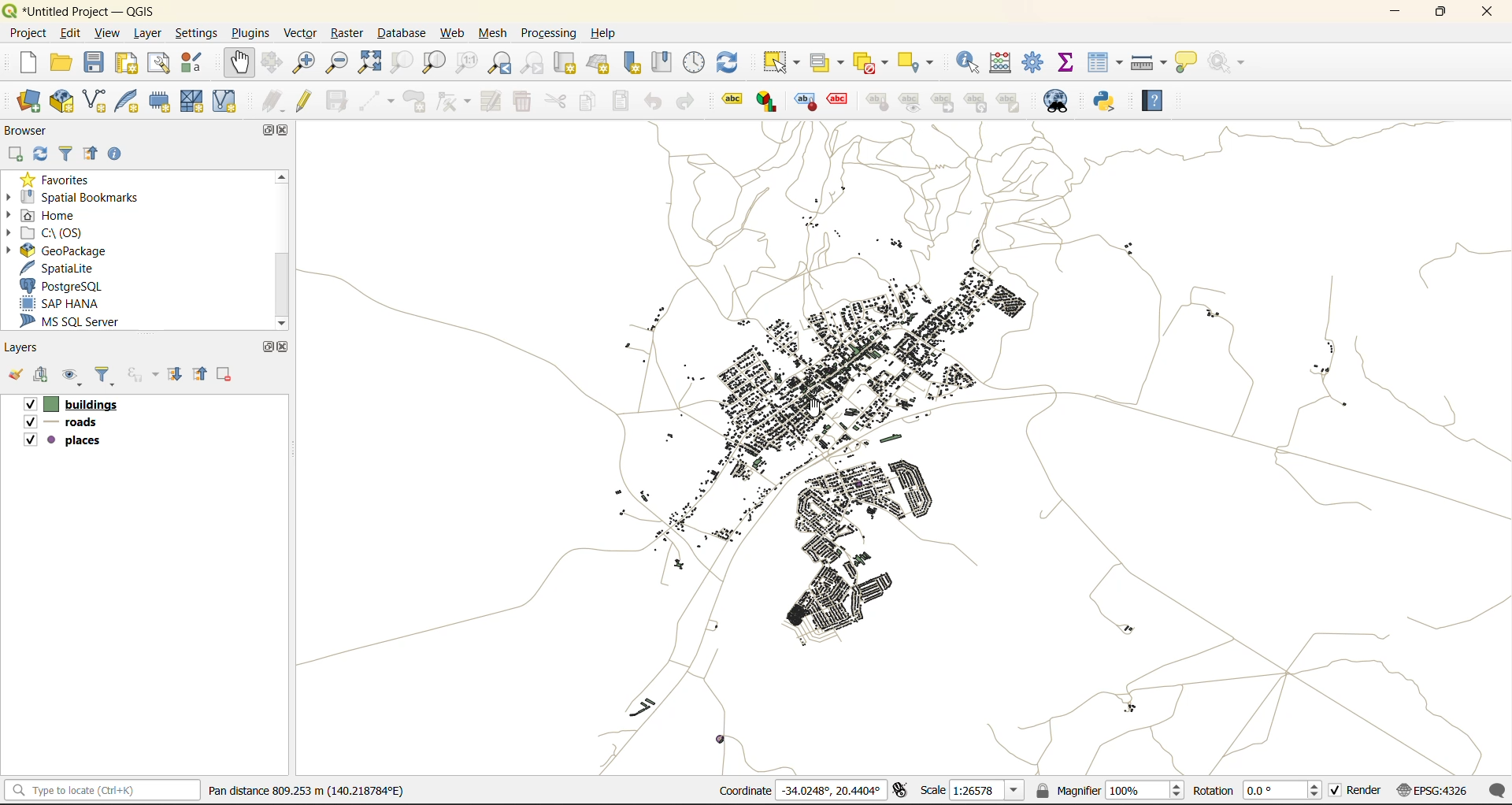  Describe the element at coordinates (283, 250) in the screenshot. I see `scroll bar` at that location.